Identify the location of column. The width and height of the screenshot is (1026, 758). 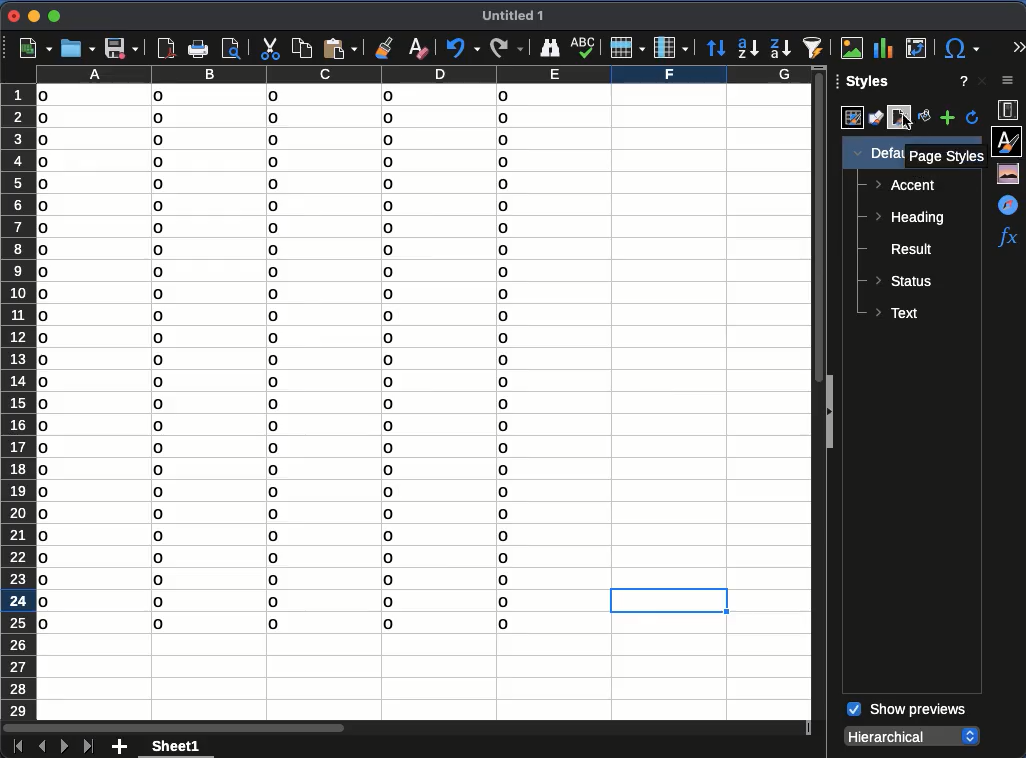
(670, 47).